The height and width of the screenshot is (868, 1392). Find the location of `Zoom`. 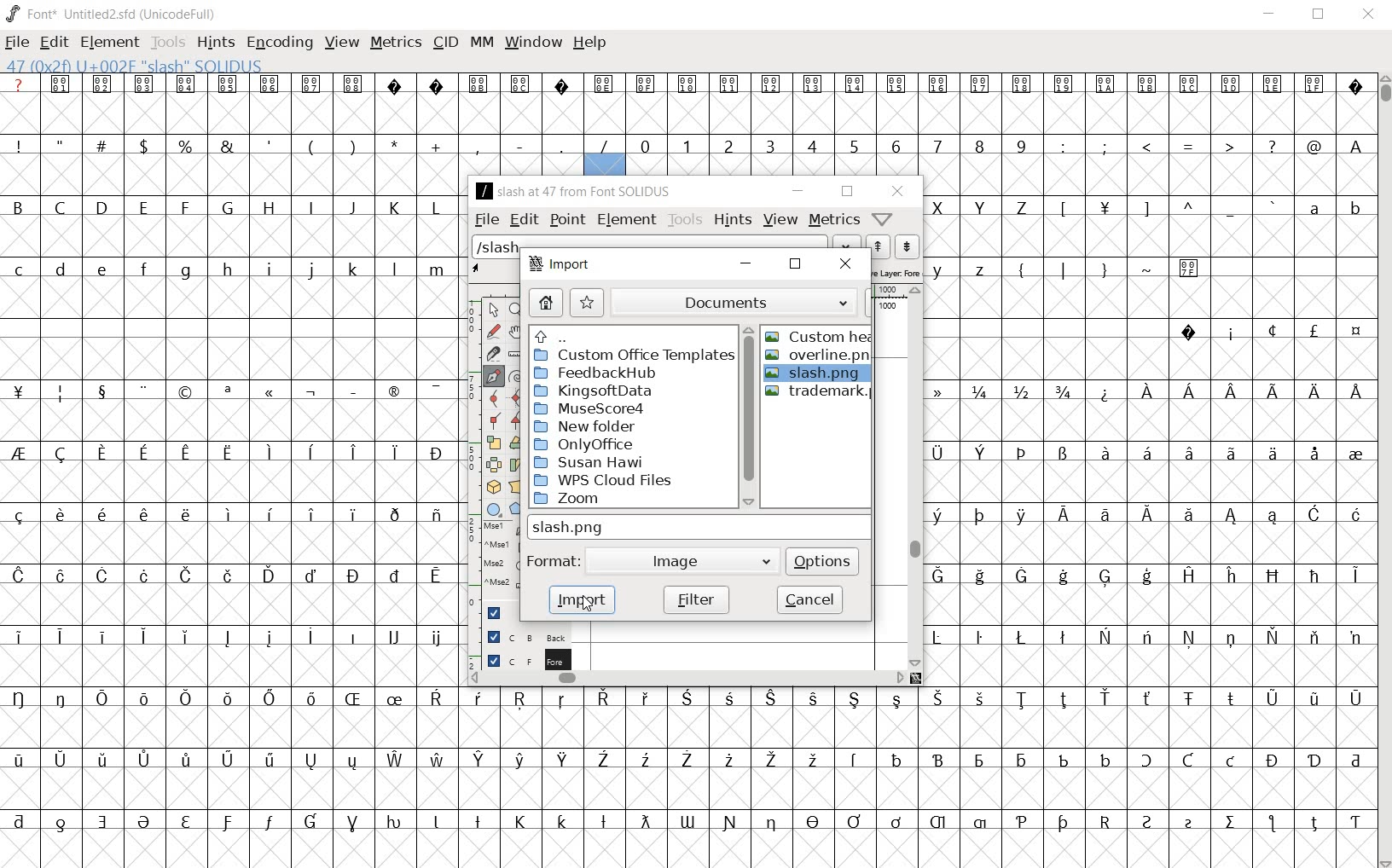

Zoom is located at coordinates (578, 499).